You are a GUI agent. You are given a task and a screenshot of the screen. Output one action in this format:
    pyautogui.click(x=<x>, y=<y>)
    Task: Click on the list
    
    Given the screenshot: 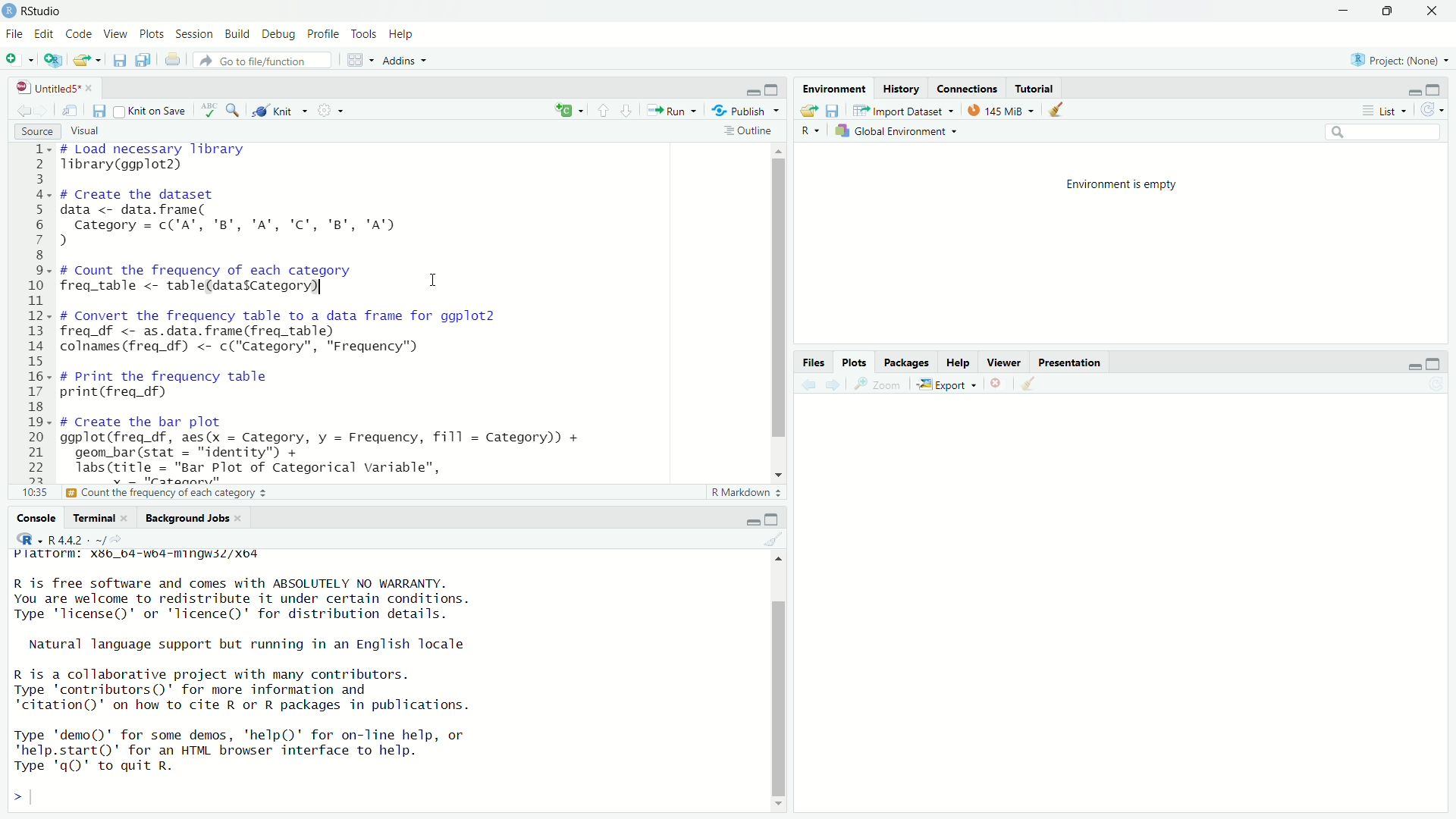 What is the action you would take?
    pyautogui.click(x=1389, y=111)
    